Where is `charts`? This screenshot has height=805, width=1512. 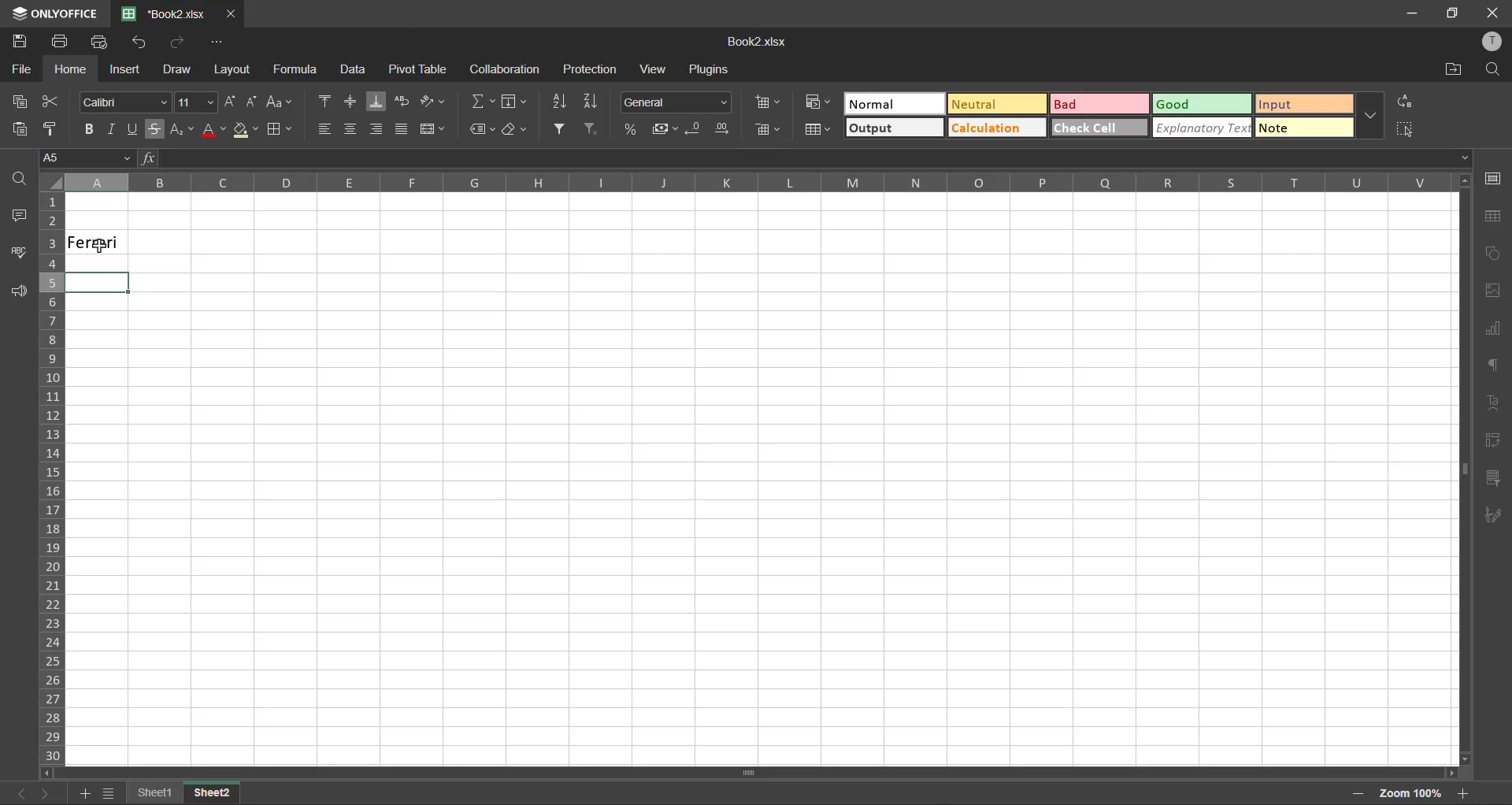
charts is located at coordinates (1495, 333).